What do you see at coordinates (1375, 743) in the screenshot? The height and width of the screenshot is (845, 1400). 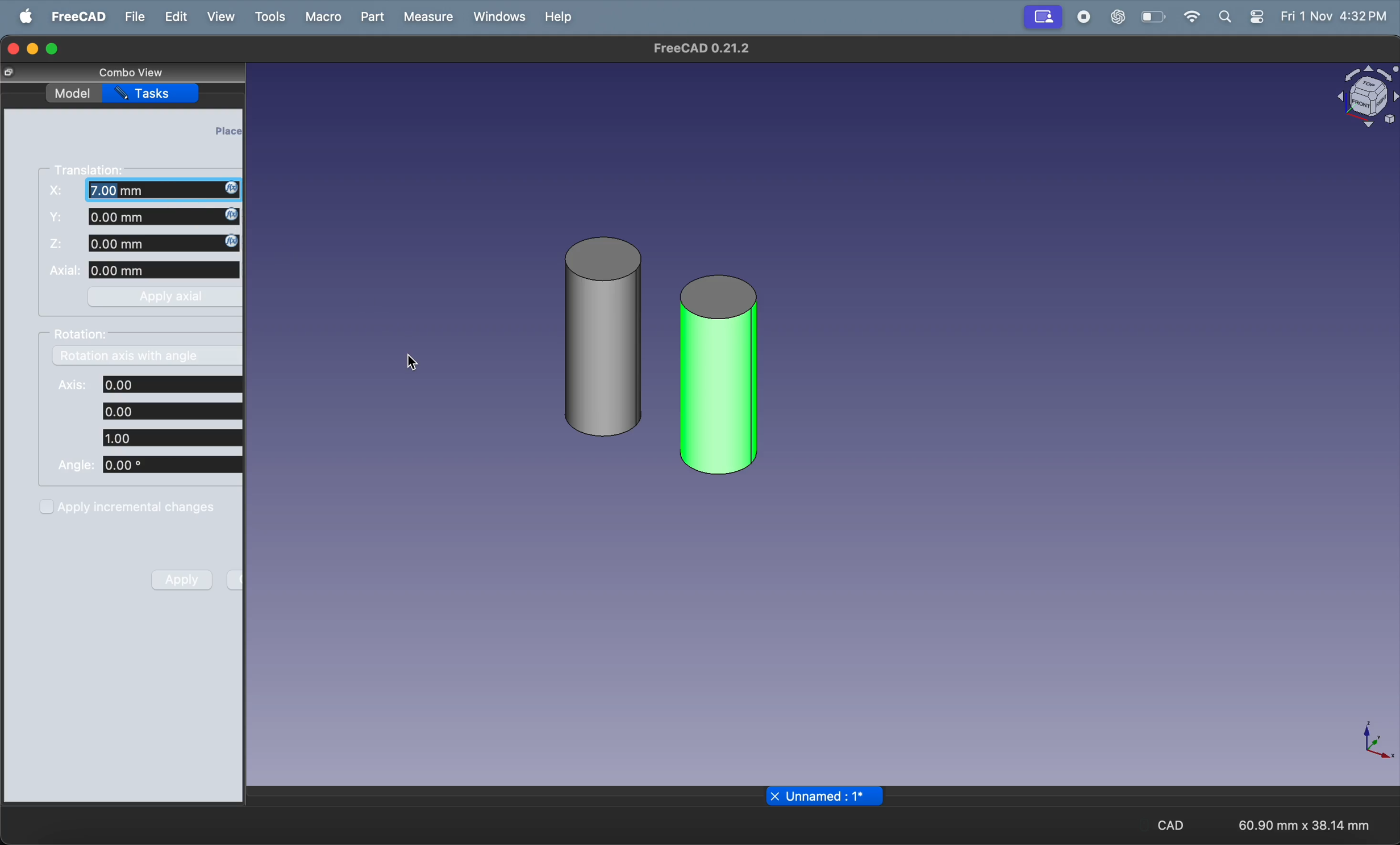 I see `axis` at bounding box center [1375, 743].